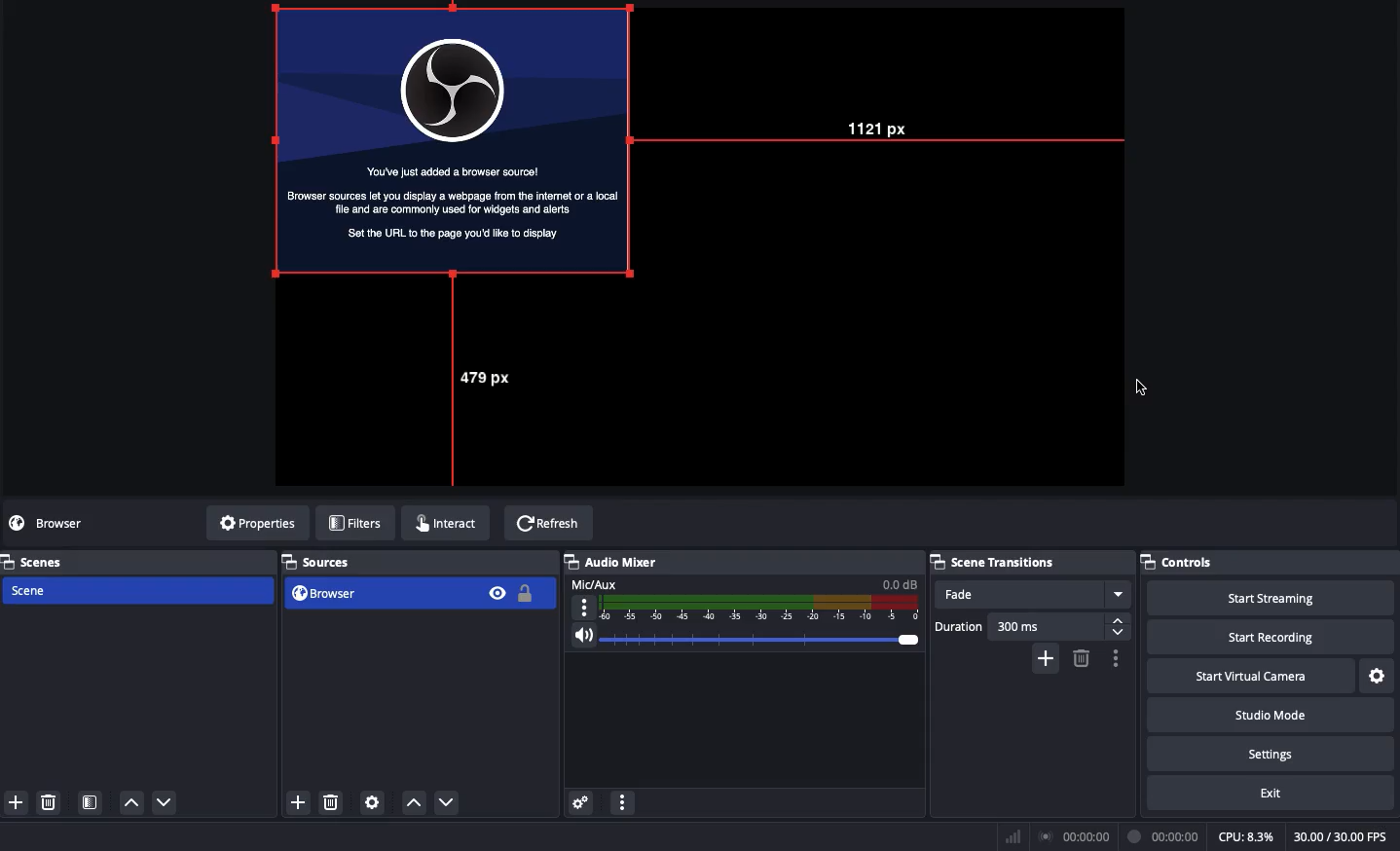  What do you see at coordinates (1010, 837) in the screenshot?
I see `Bars` at bounding box center [1010, 837].